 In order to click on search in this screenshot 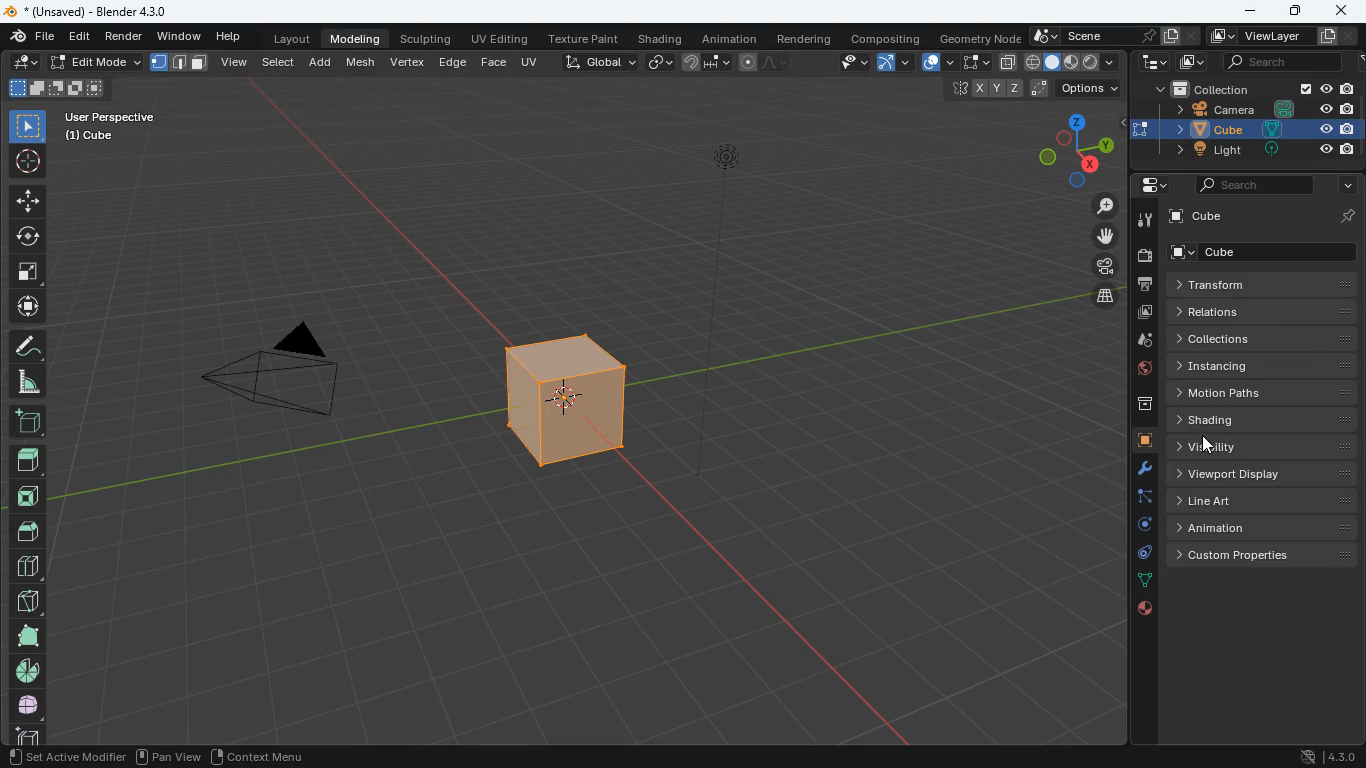, I will do `click(1282, 61)`.